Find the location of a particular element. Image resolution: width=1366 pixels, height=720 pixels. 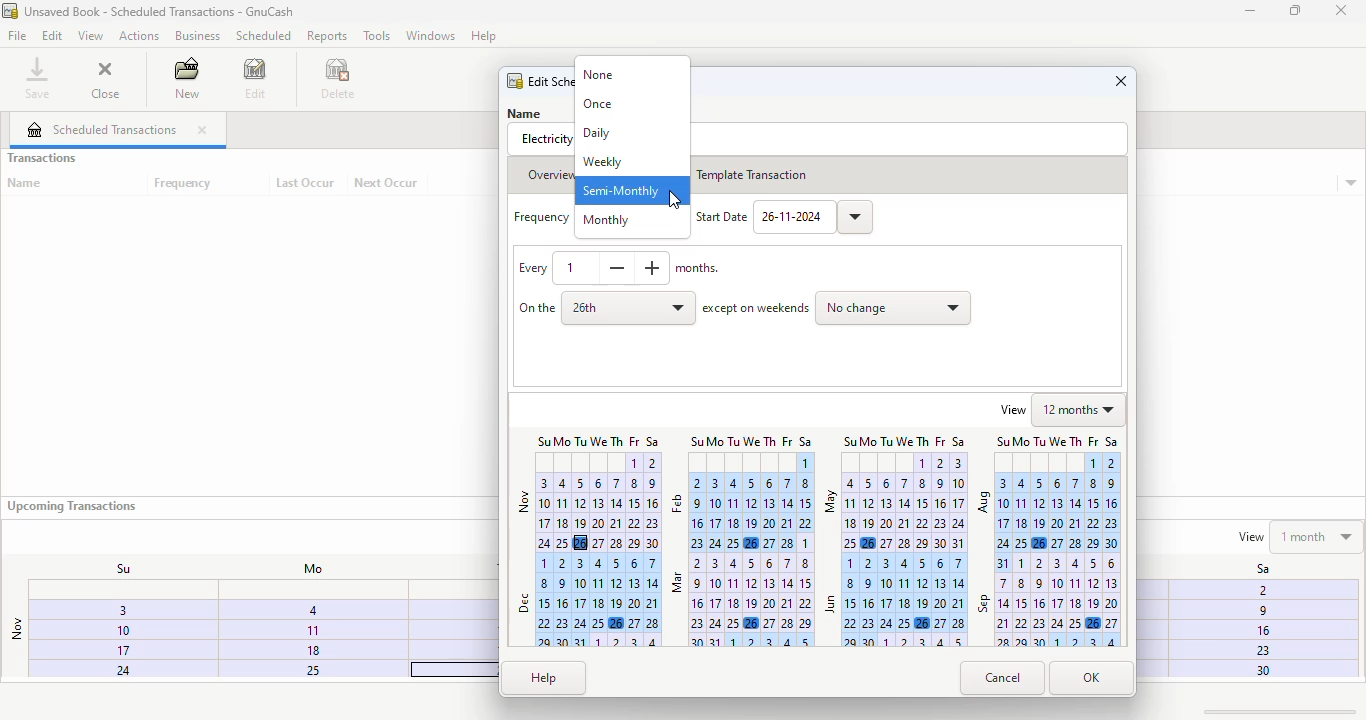

Start Date is located at coordinates (721, 217).